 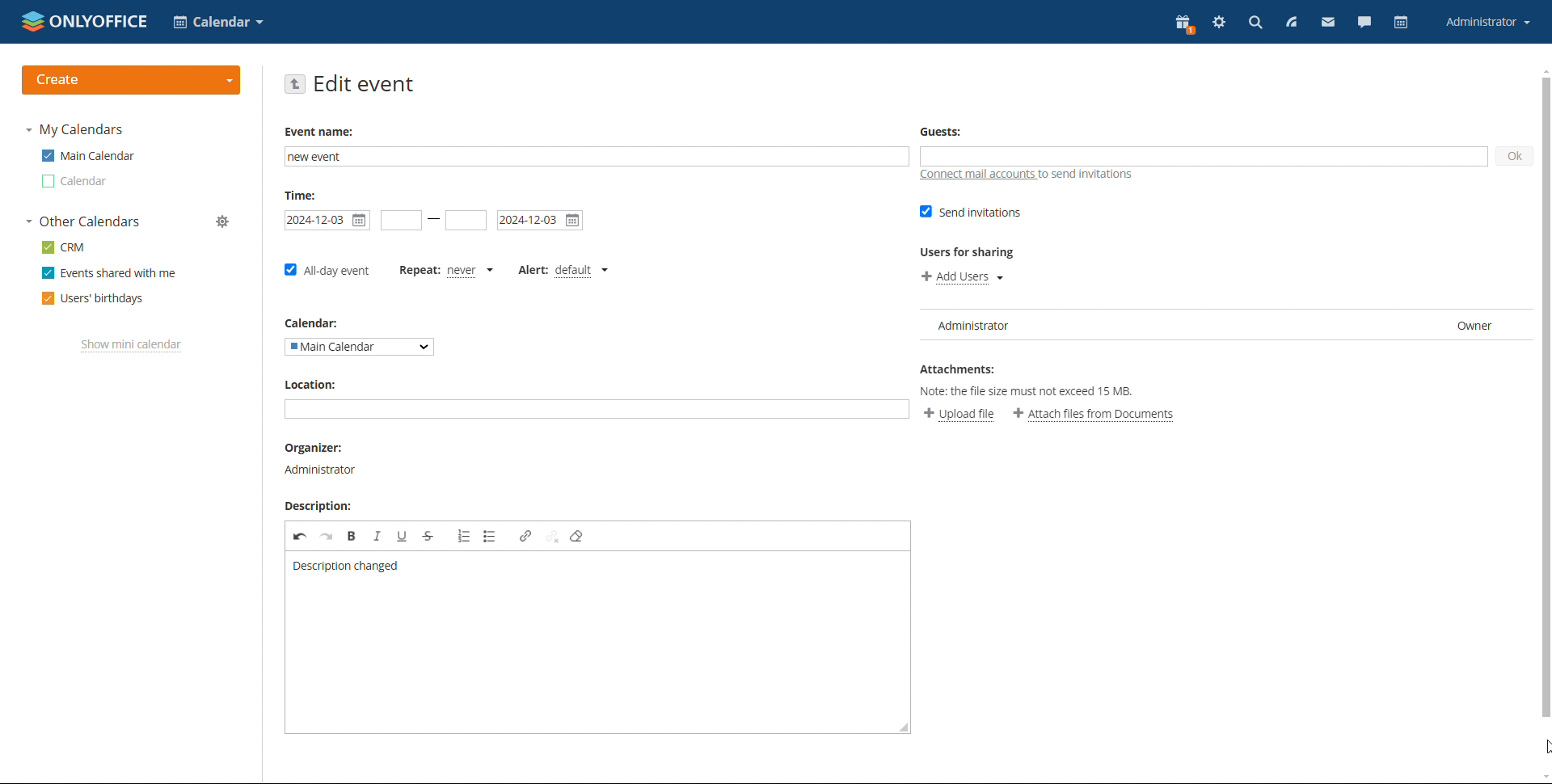 I want to click on scroll down, so click(x=1542, y=778).